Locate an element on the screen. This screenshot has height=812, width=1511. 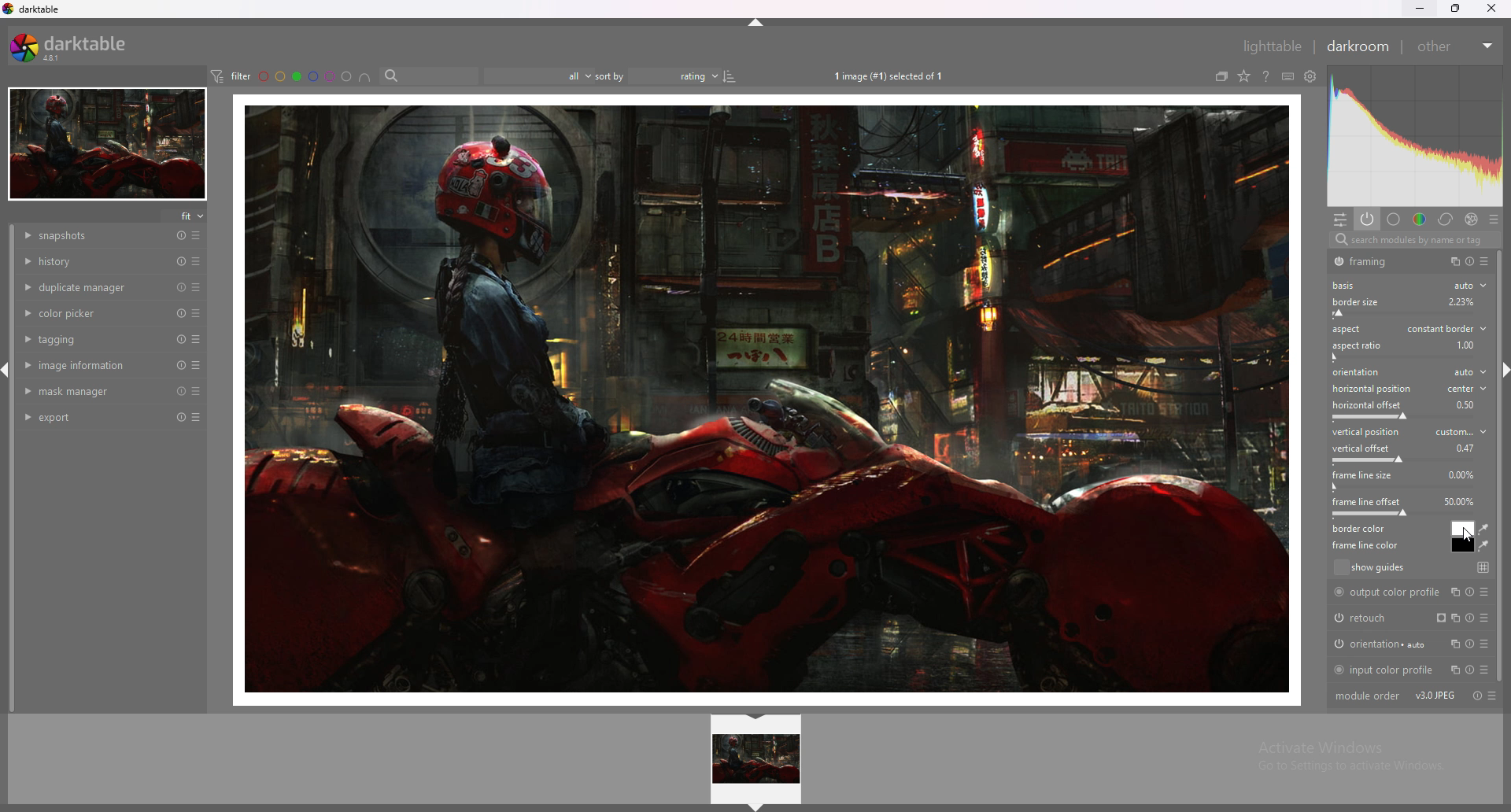
other is located at coordinates (1453, 45).